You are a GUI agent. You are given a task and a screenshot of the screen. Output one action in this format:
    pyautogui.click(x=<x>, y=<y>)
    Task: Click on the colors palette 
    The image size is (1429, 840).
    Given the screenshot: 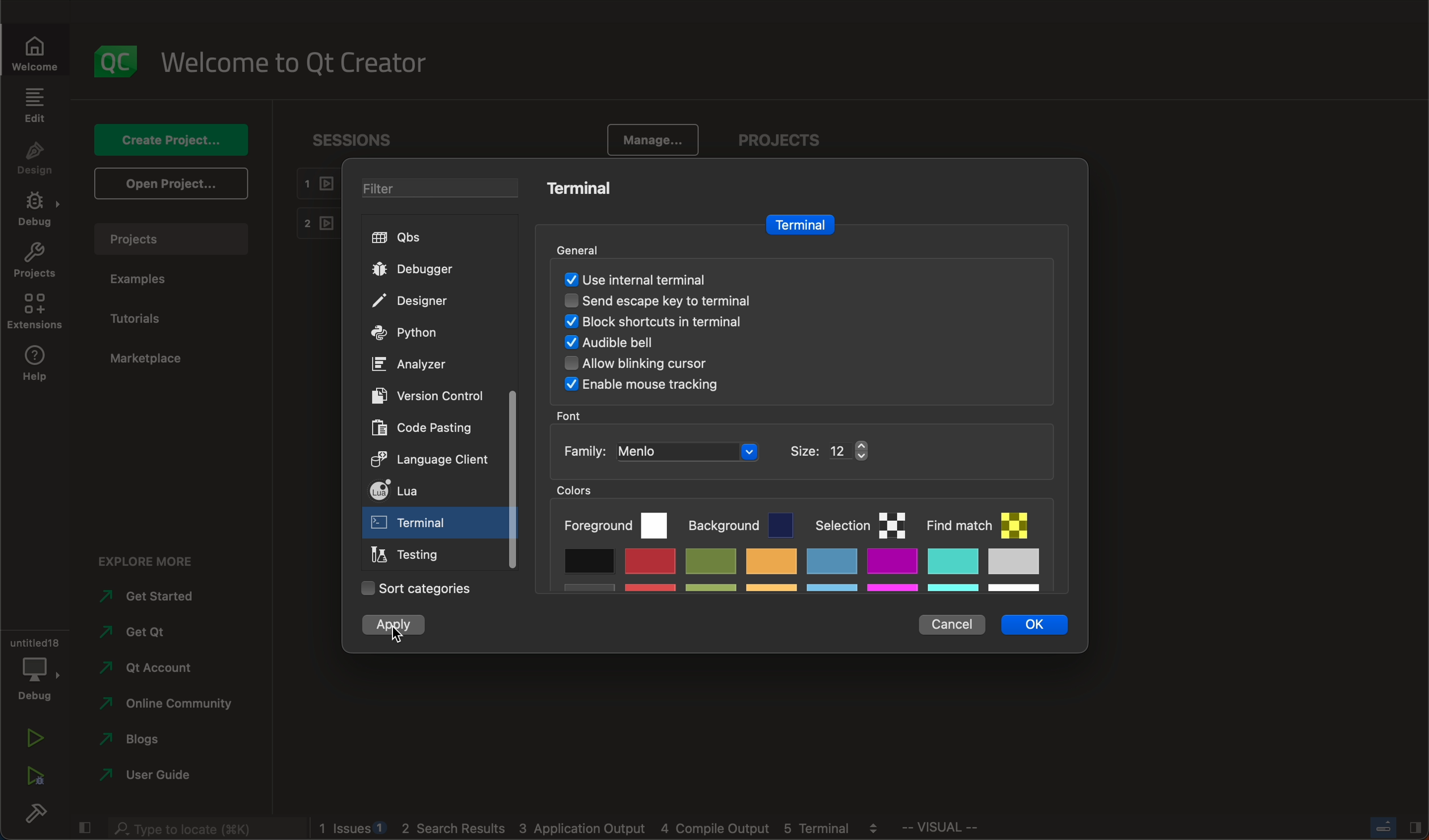 What is the action you would take?
    pyautogui.click(x=811, y=538)
    